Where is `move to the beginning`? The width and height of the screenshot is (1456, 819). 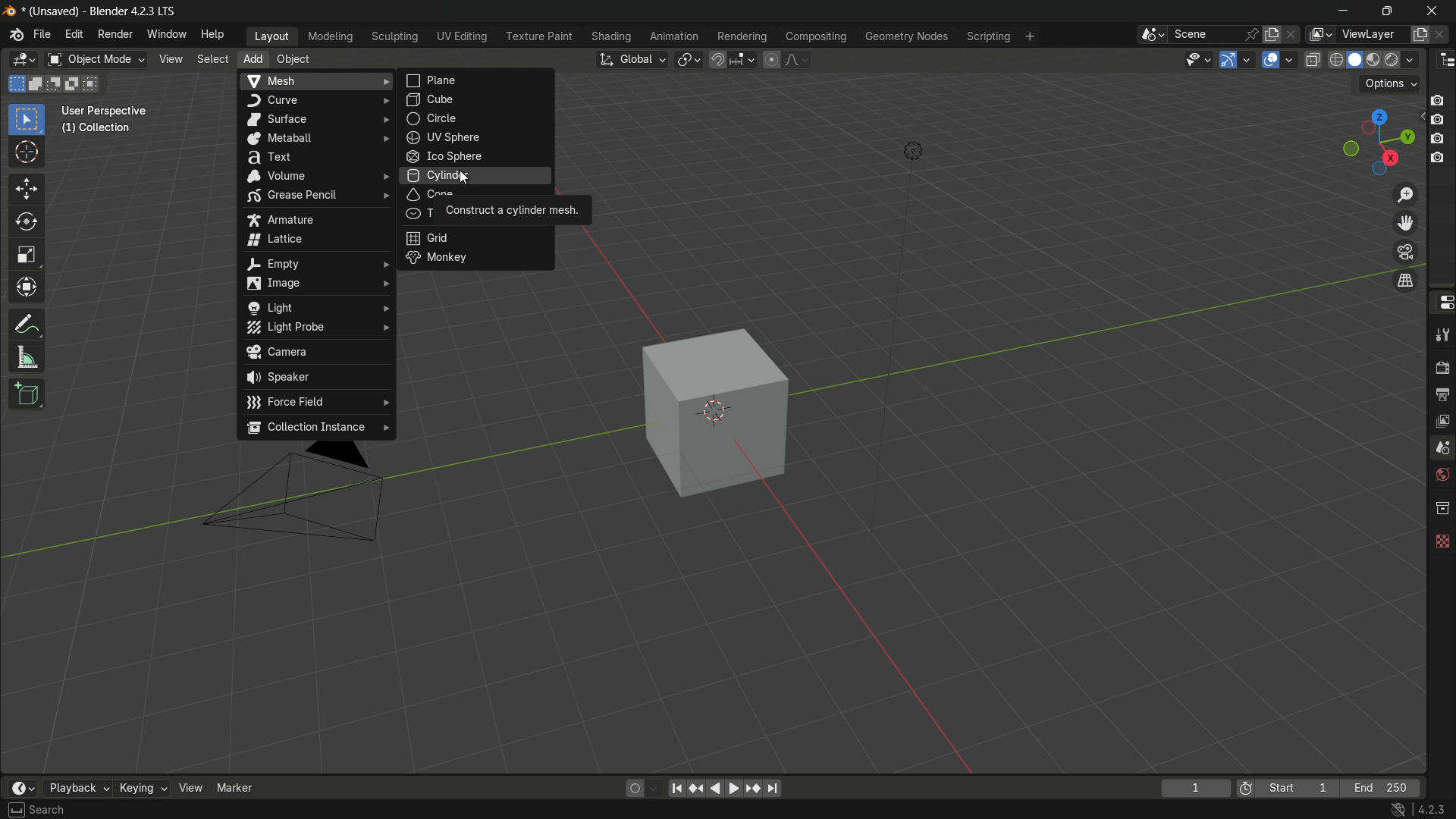
move to the beginning is located at coordinates (679, 789).